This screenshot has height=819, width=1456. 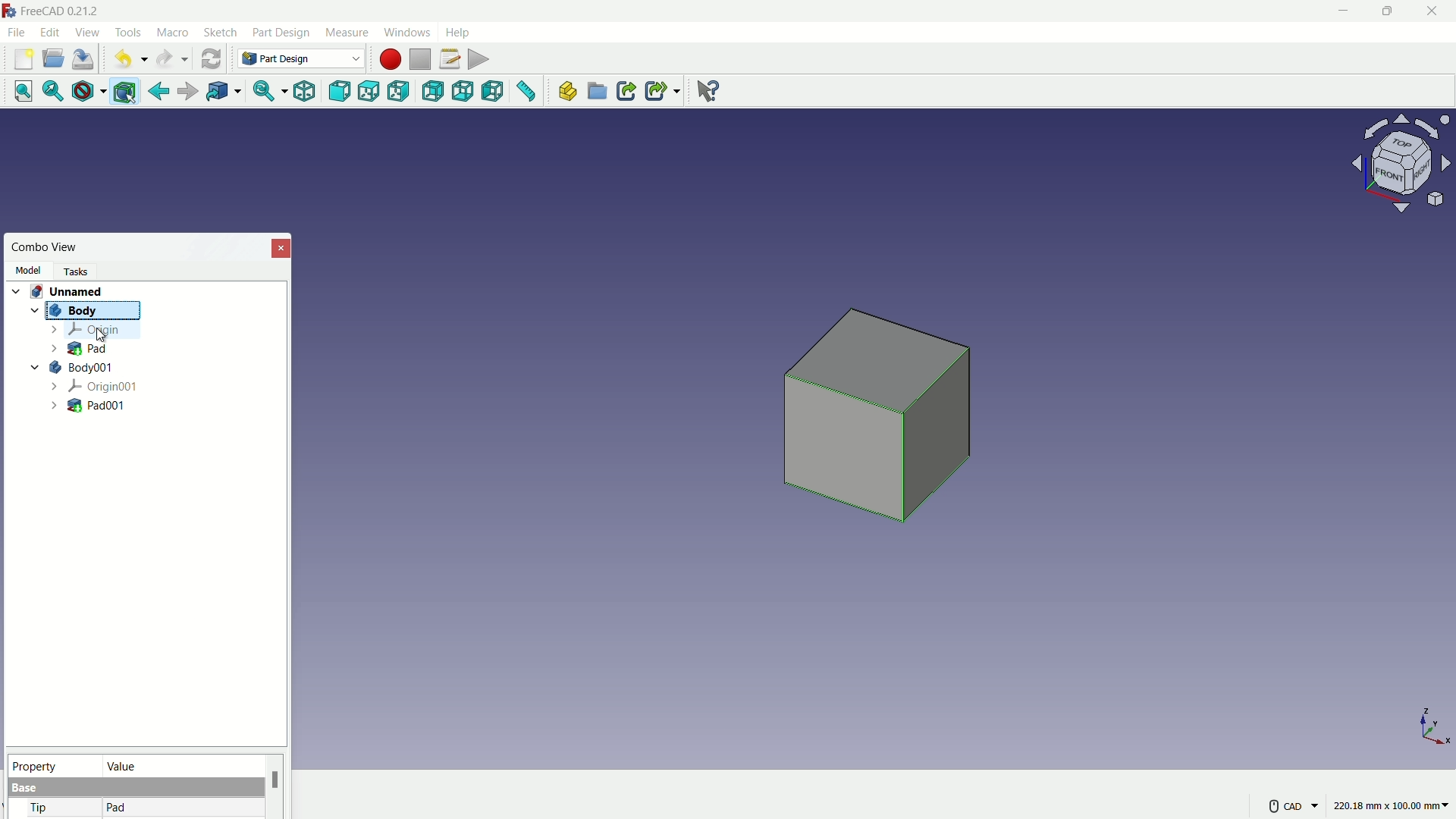 What do you see at coordinates (18, 90) in the screenshot?
I see `fit all` at bounding box center [18, 90].